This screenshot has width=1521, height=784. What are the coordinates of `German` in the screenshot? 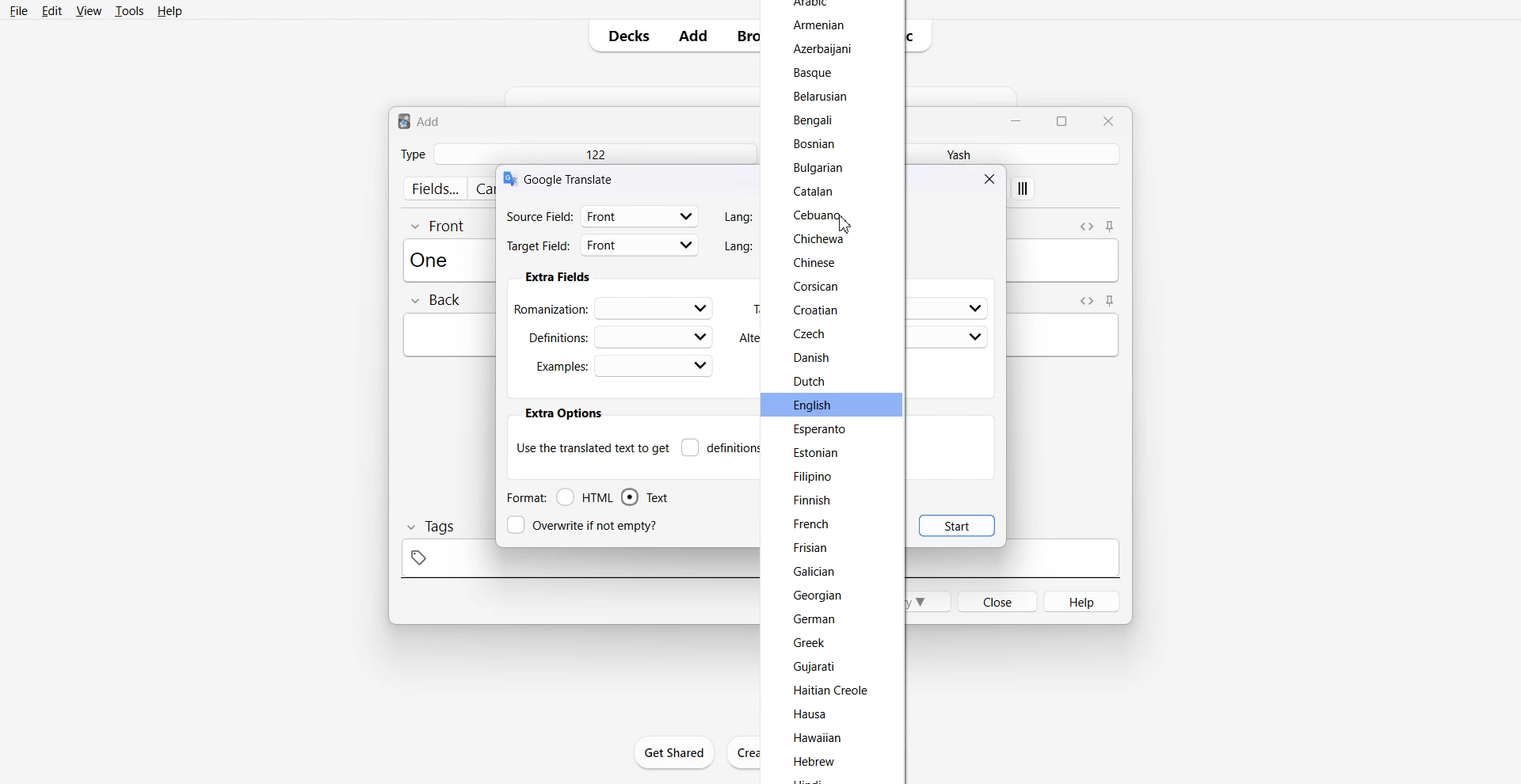 It's located at (814, 618).